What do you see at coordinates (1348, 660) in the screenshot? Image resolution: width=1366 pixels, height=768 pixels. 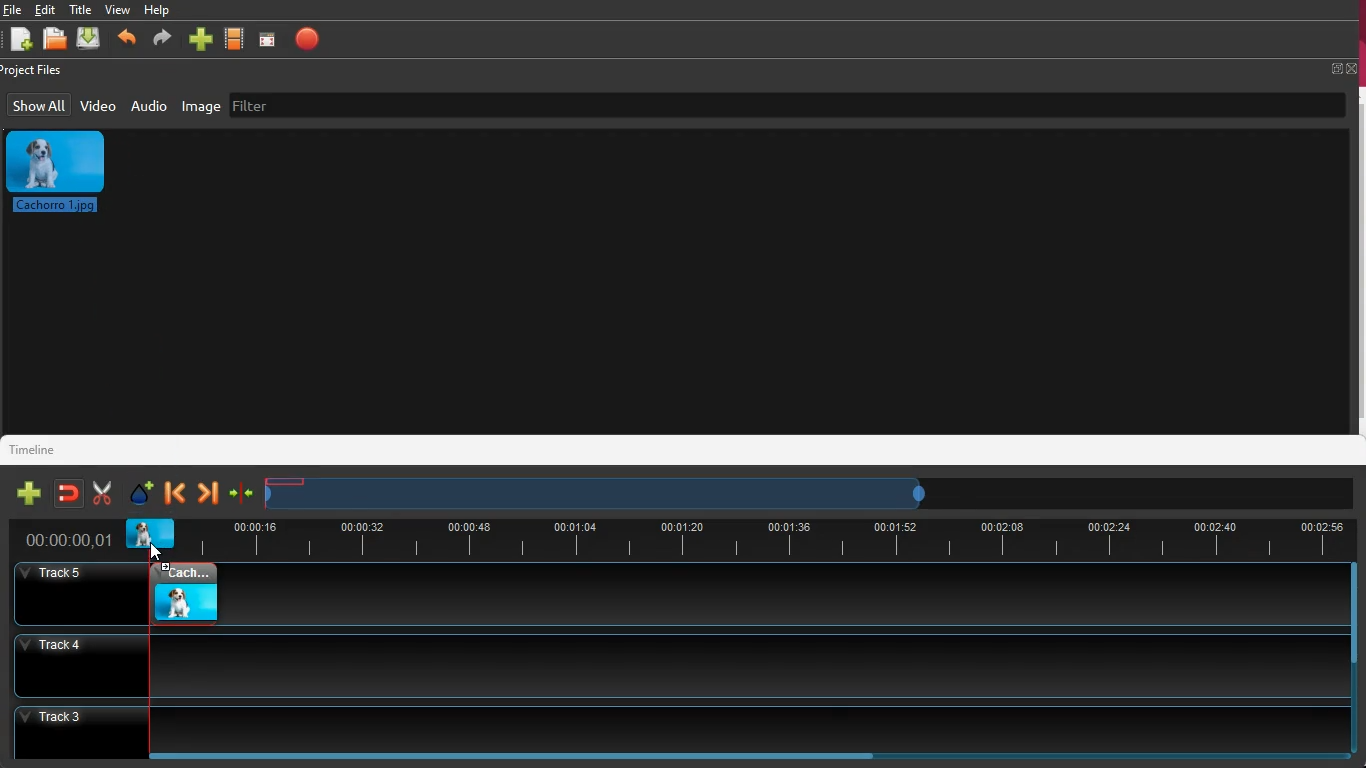 I see `scrollbar` at bounding box center [1348, 660].